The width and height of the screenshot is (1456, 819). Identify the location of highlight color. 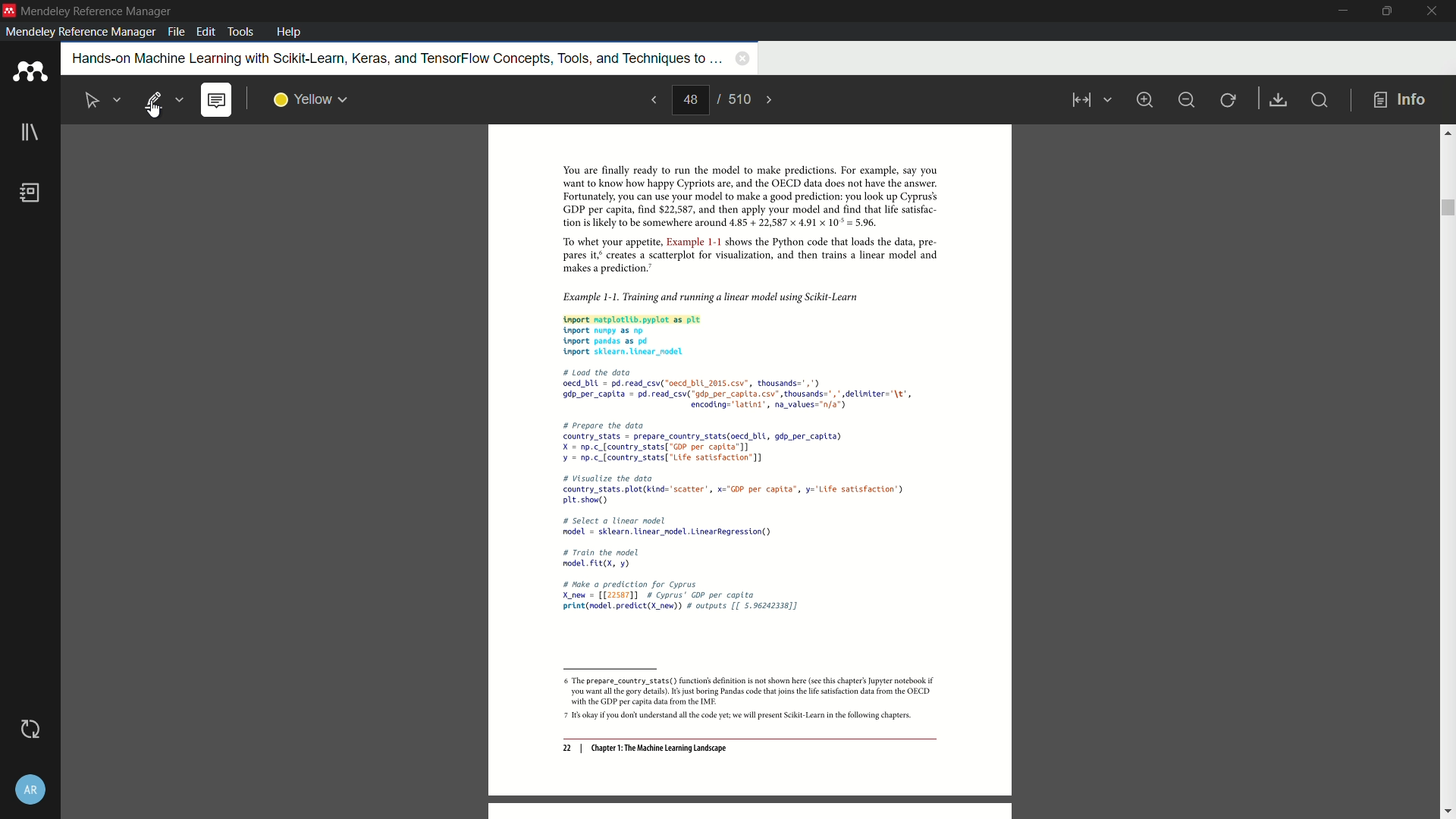
(311, 100).